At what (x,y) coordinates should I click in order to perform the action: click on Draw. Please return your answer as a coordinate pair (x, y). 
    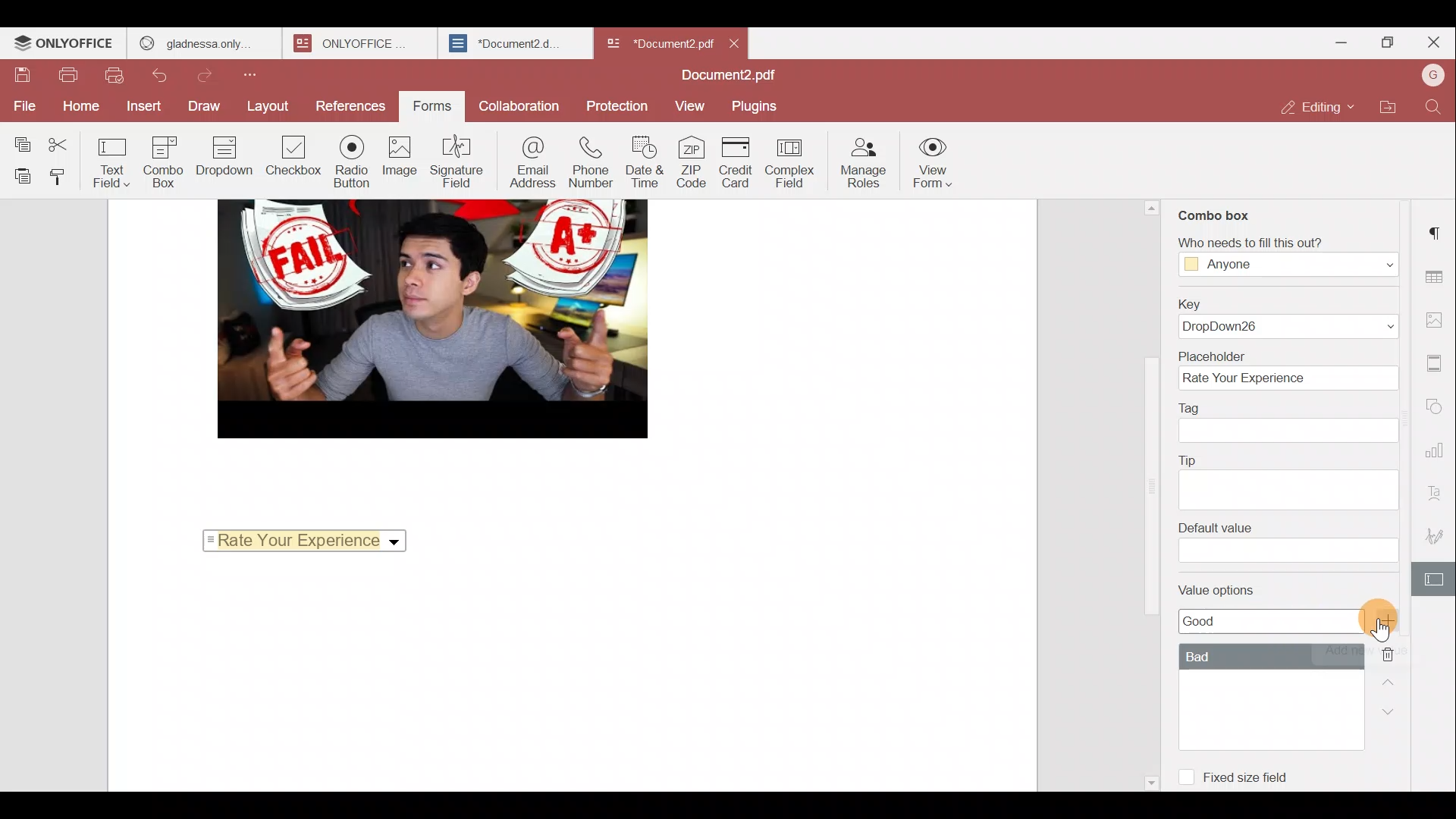
    Looking at the image, I should click on (206, 107).